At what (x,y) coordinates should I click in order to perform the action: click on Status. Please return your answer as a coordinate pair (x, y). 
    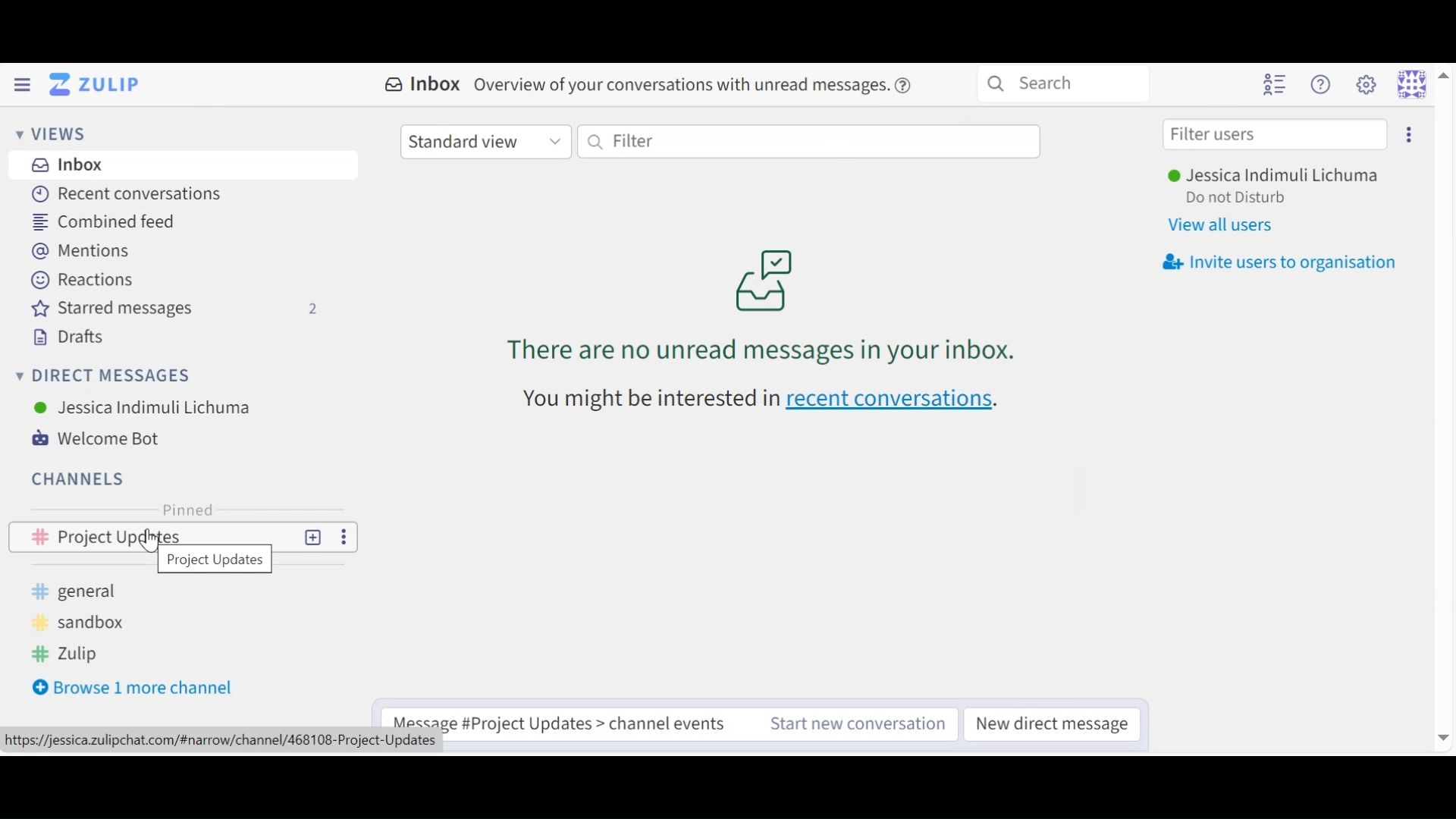
    Looking at the image, I should click on (1237, 199).